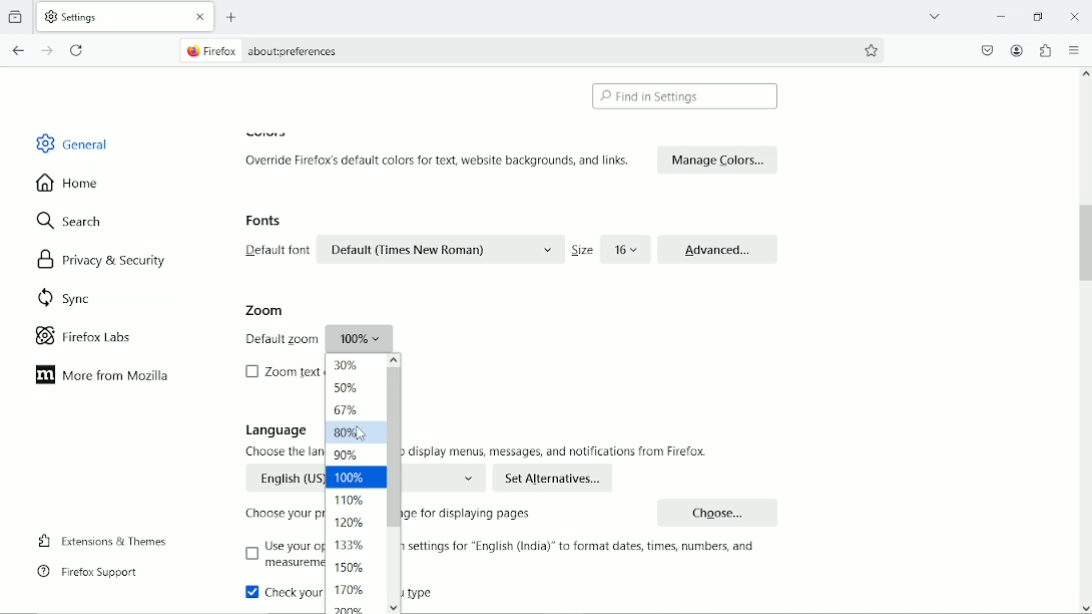 This screenshot has height=614, width=1092. Describe the element at coordinates (278, 50) in the screenshot. I see `Firefox about:preferences` at that location.